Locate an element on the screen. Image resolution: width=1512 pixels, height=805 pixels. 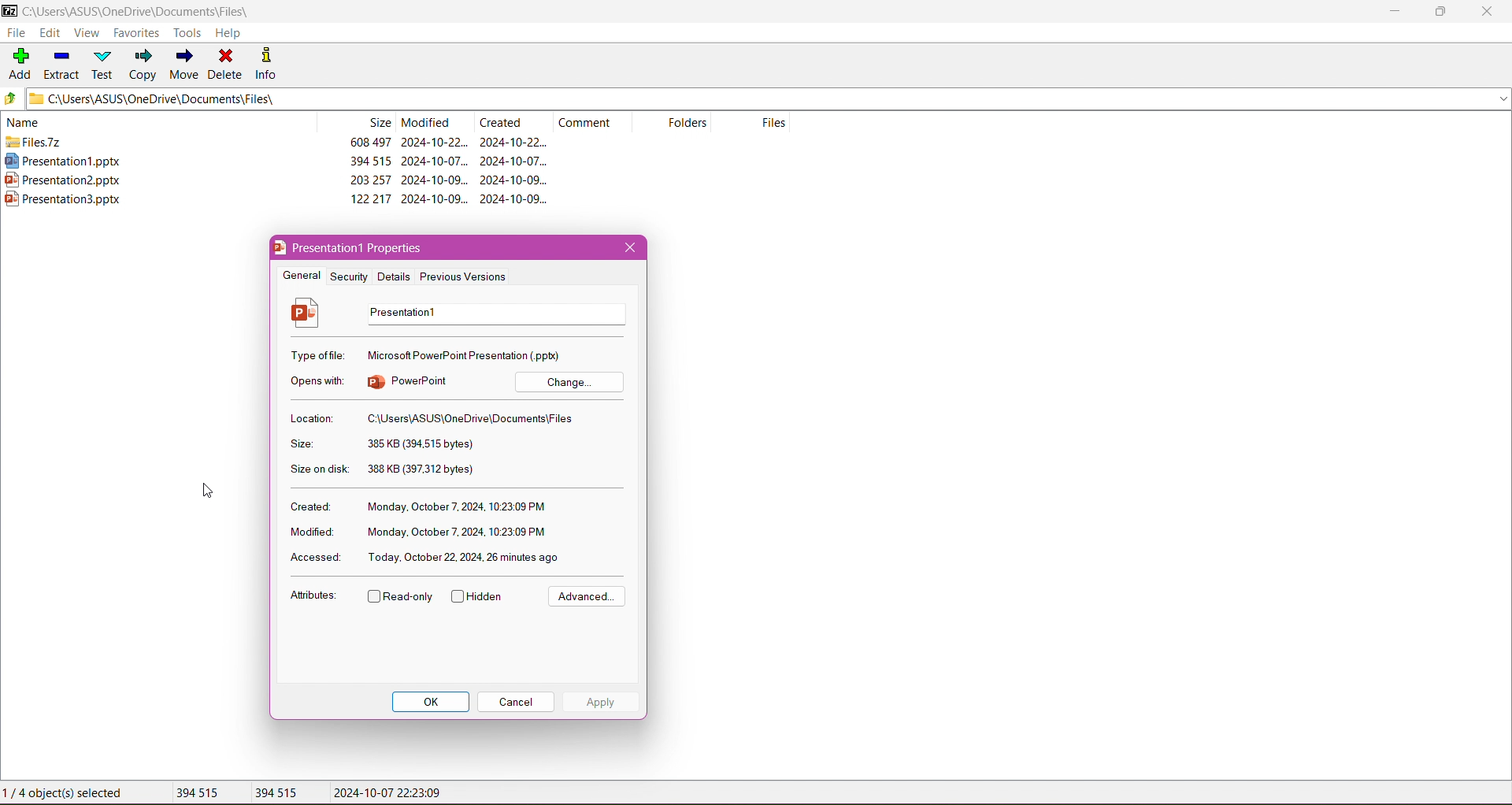
Restore Down is located at coordinates (1441, 12).